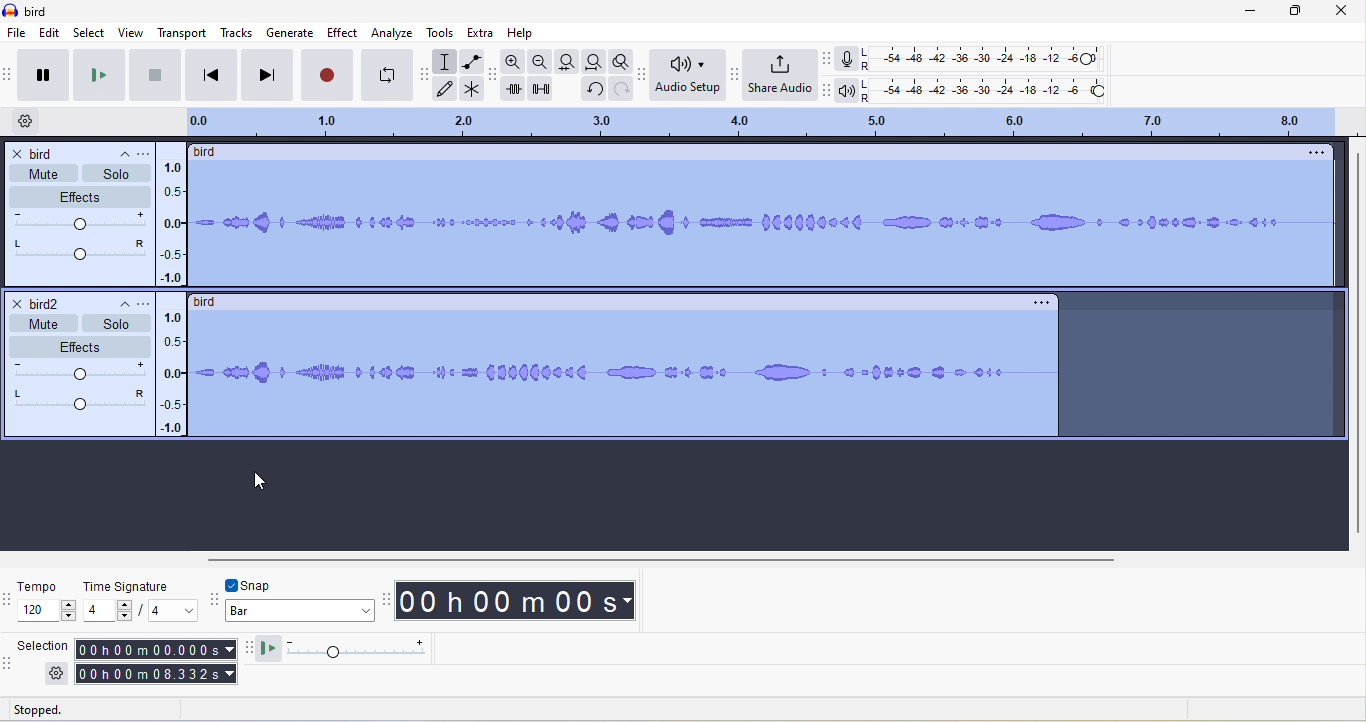  Describe the element at coordinates (51, 34) in the screenshot. I see `edit` at that location.